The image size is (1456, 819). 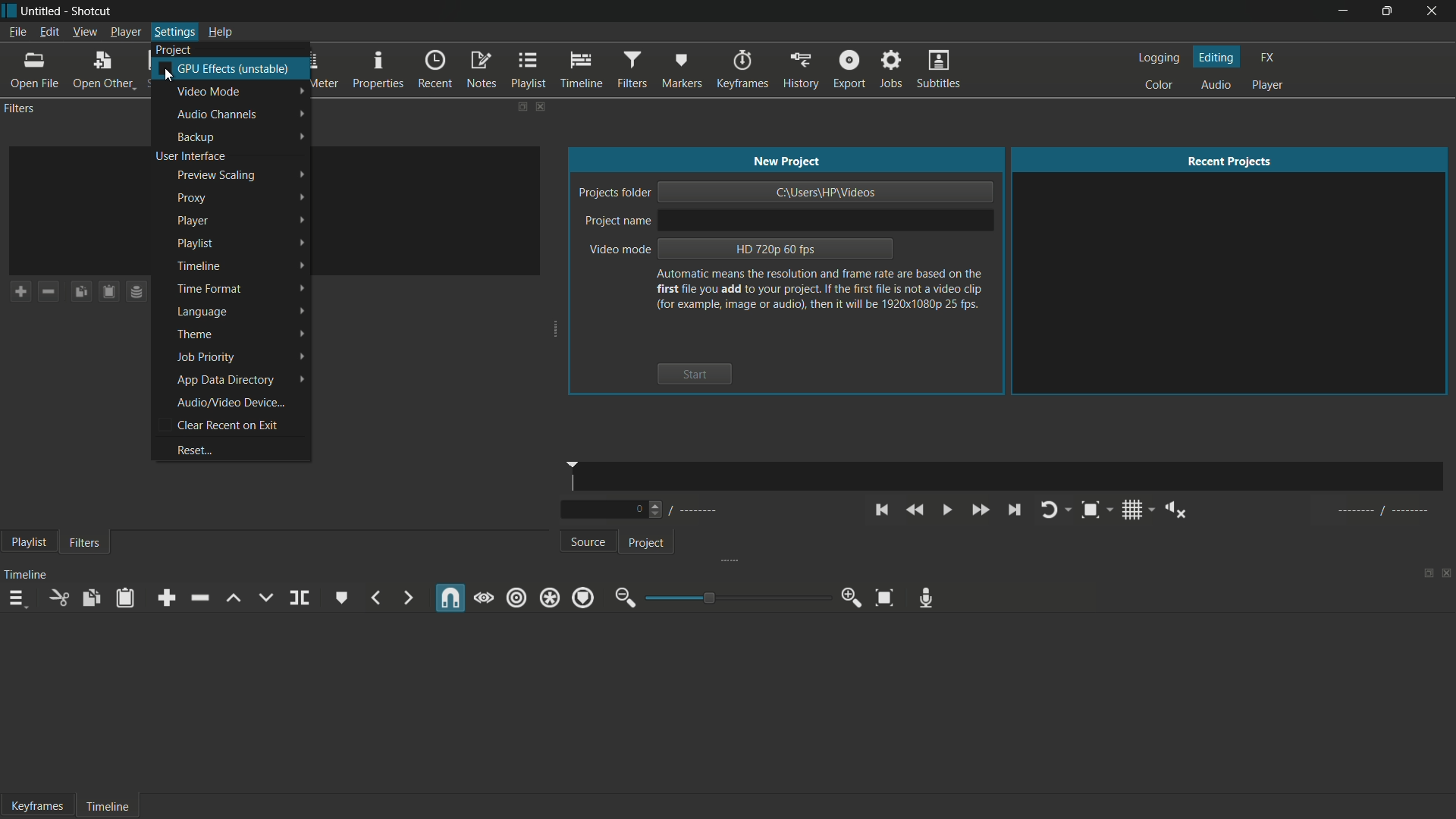 I want to click on toggle grid, so click(x=1132, y=510).